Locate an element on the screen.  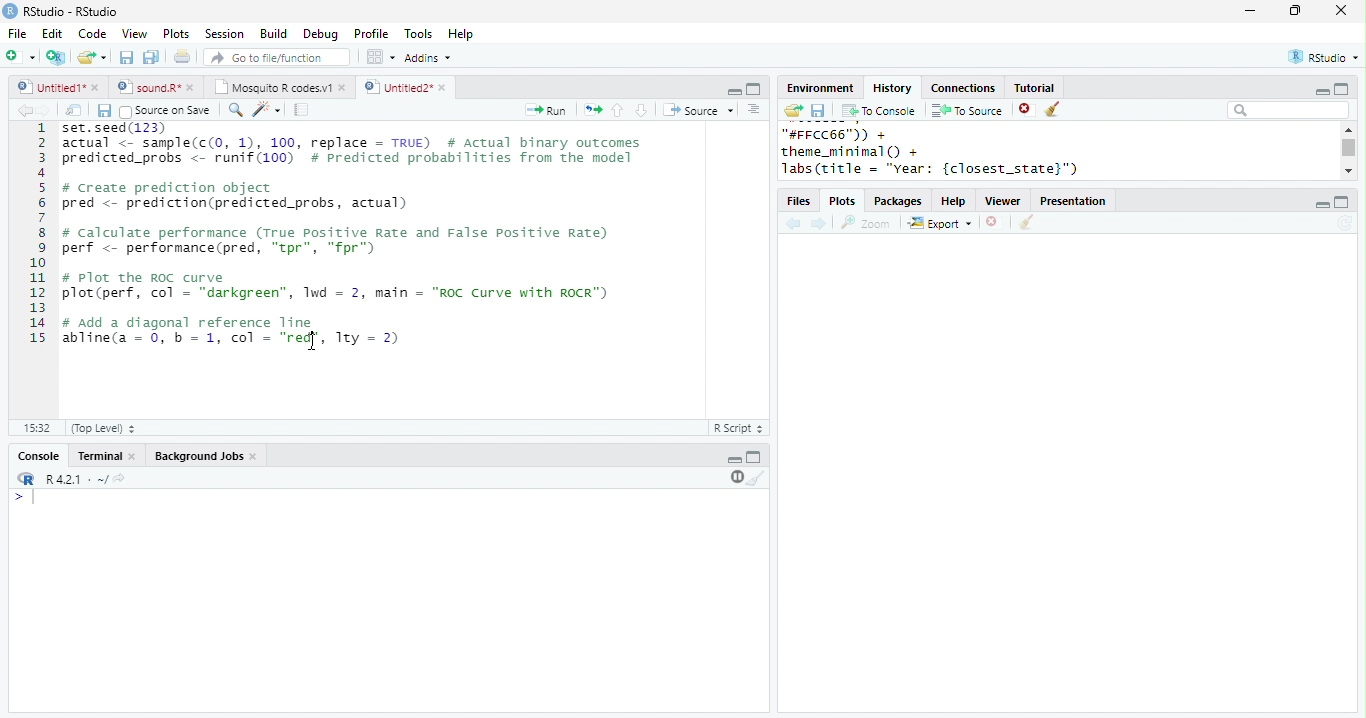
close file is located at coordinates (1027, 110).